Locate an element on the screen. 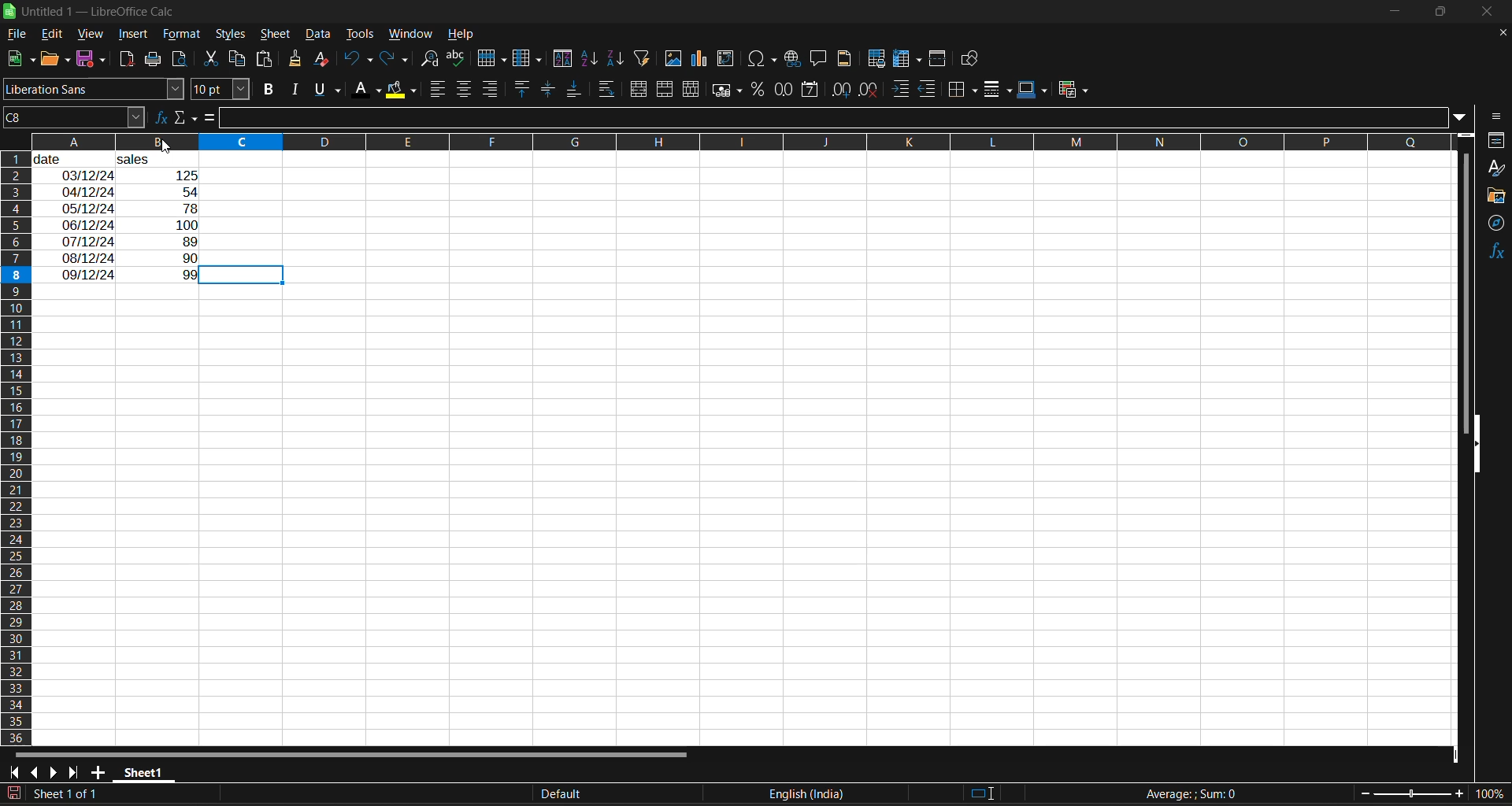 This screenshot has height=806, width=1512. sort is located at coordinates (562, 58).